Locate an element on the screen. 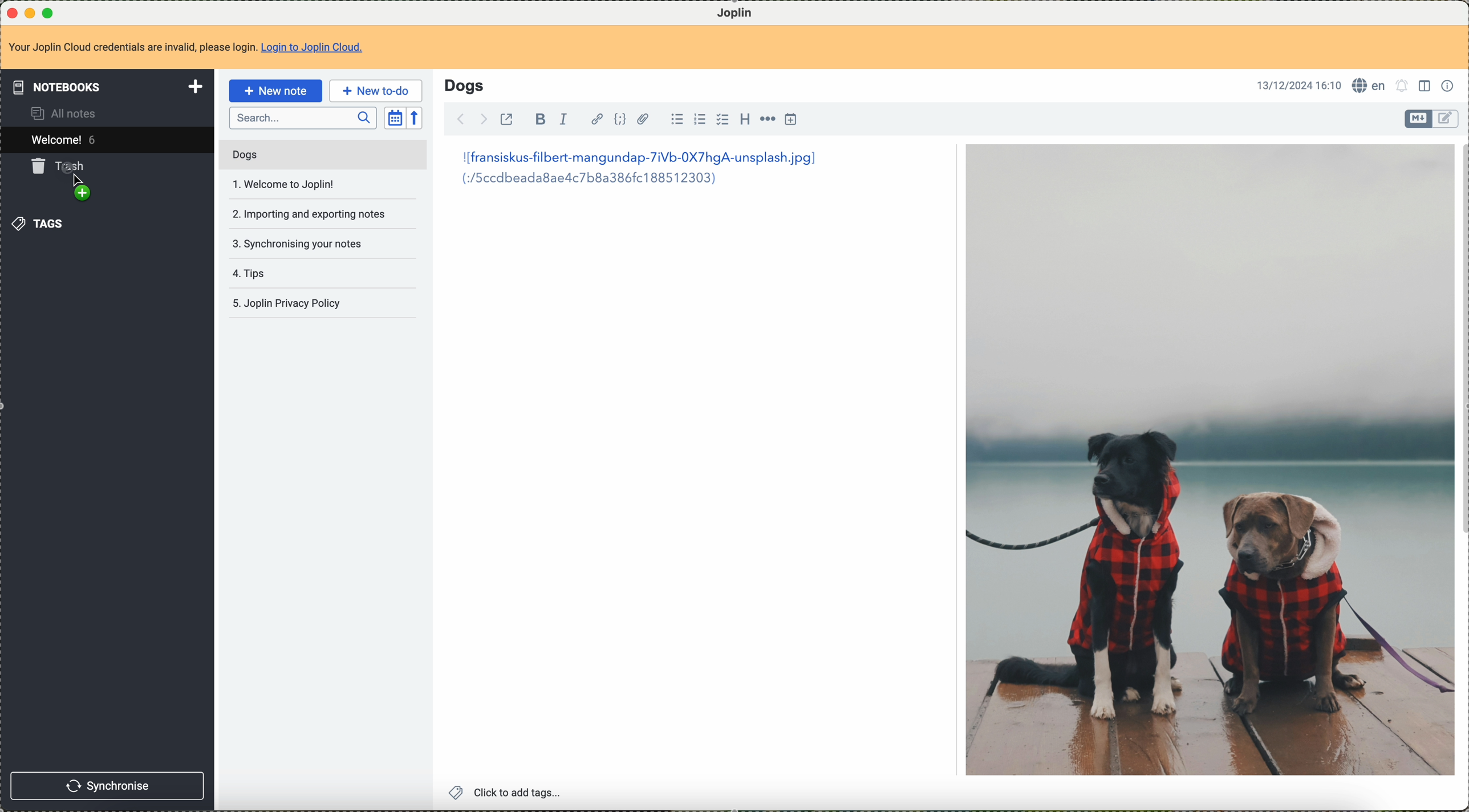  insert time is located at coordinates (792, 120).